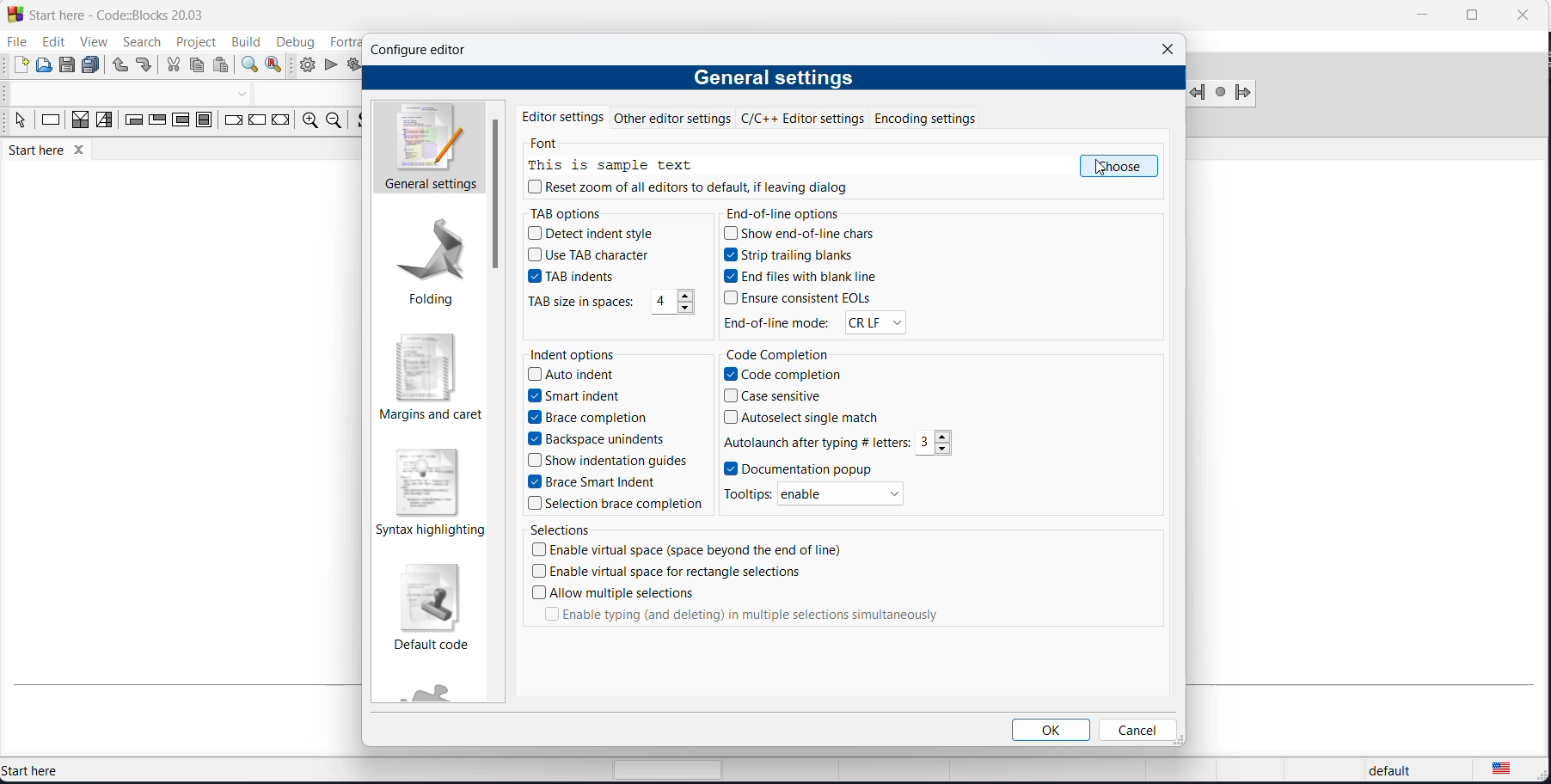 This screenshot has width=1551, height=784. I want to click on indent options, so click(574, 354).